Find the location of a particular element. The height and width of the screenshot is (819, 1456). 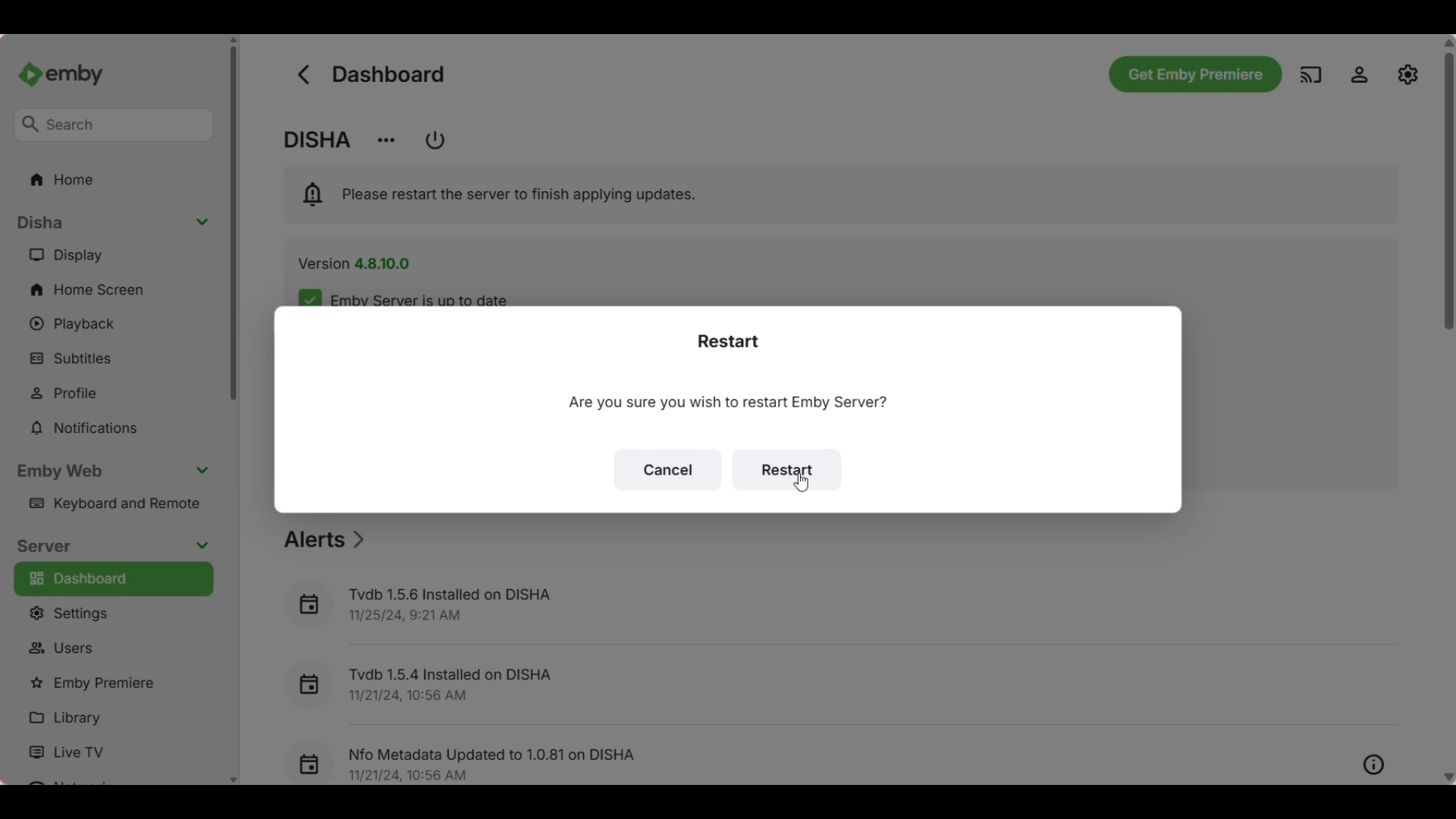

Dashboard, current selection highlighted is located at coordinates (114, 579).